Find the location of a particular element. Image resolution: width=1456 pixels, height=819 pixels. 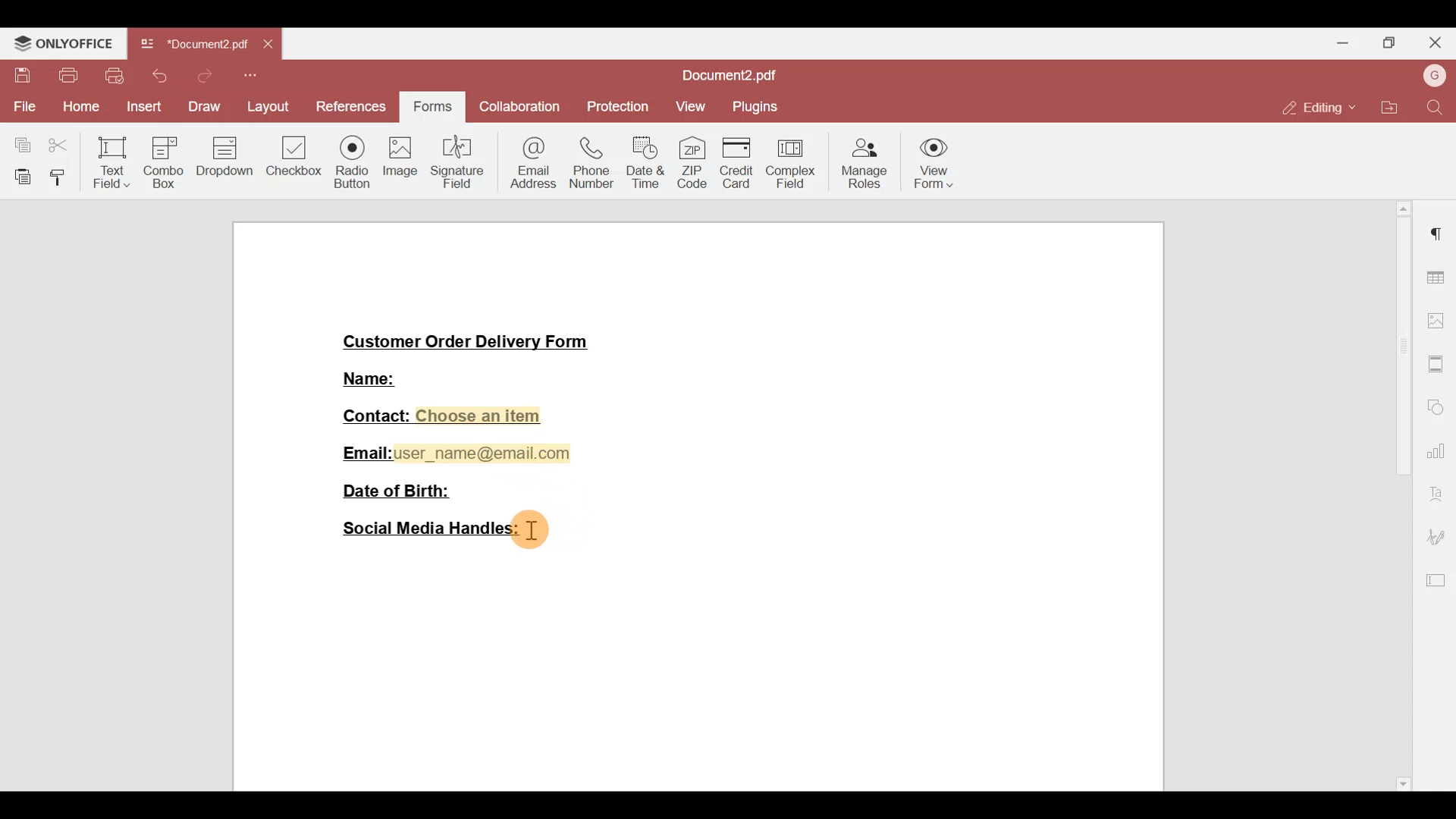

Text field is located at coordinates (107, 164).